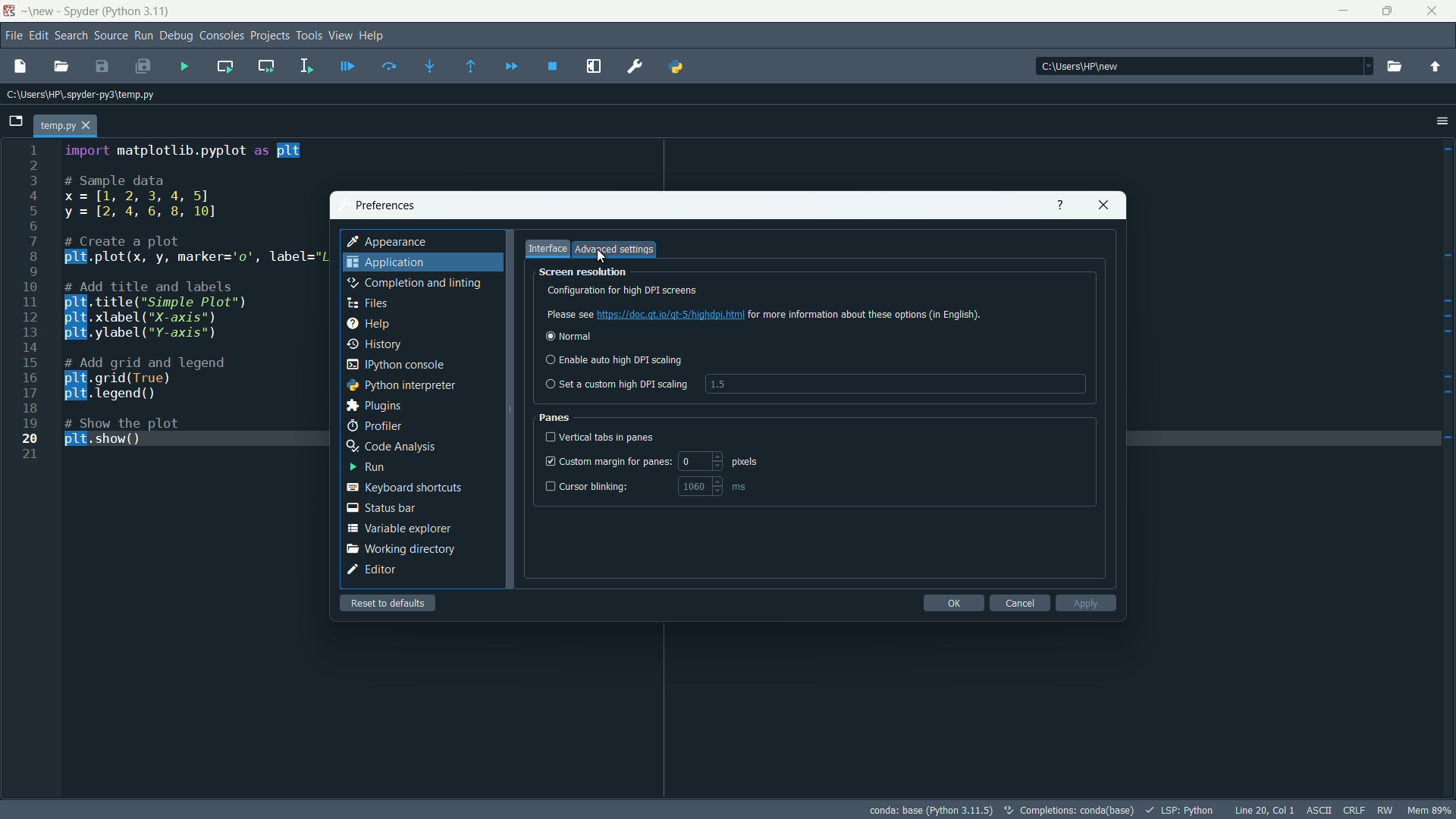 Image resolution: width=1456 pixels, height=819 pixels. Describe the element at coordinates (557, 417) in the screenshot. I see `panes` at that location.